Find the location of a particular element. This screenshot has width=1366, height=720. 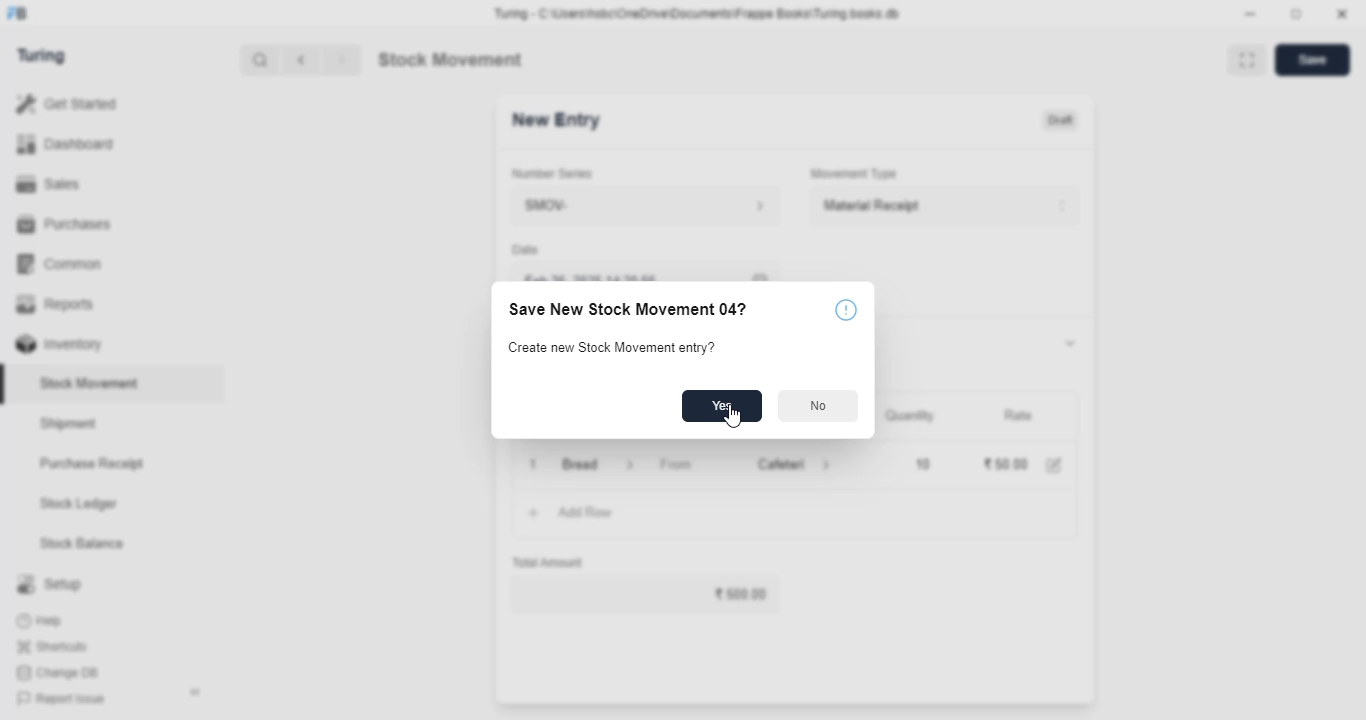

Turing - C:\Users\nsbc\OneDrive\Documents\Frappe Books\Turing books.db is located at coordinates (698, 14).